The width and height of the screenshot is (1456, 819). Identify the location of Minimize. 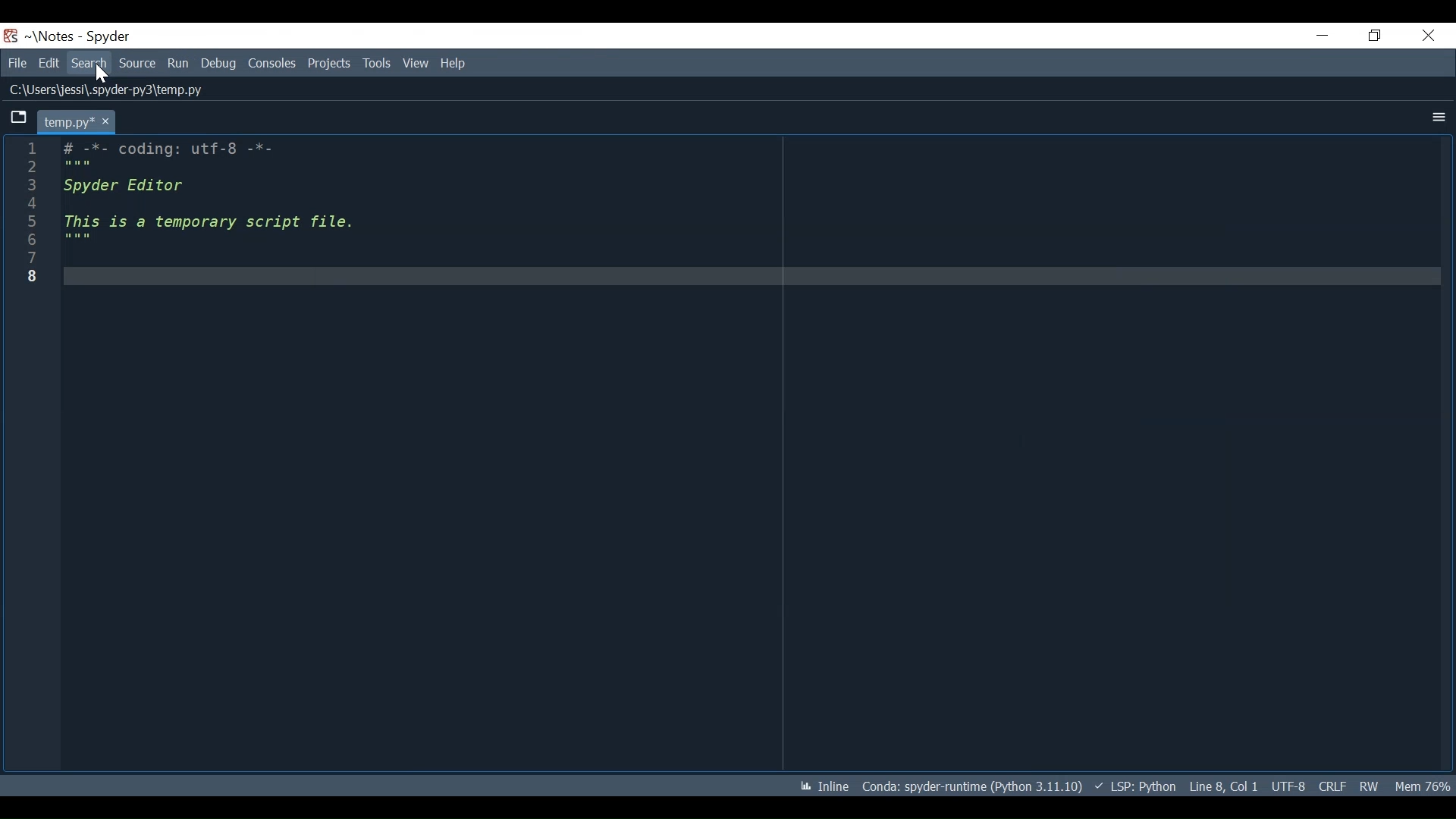
(1318, 32).